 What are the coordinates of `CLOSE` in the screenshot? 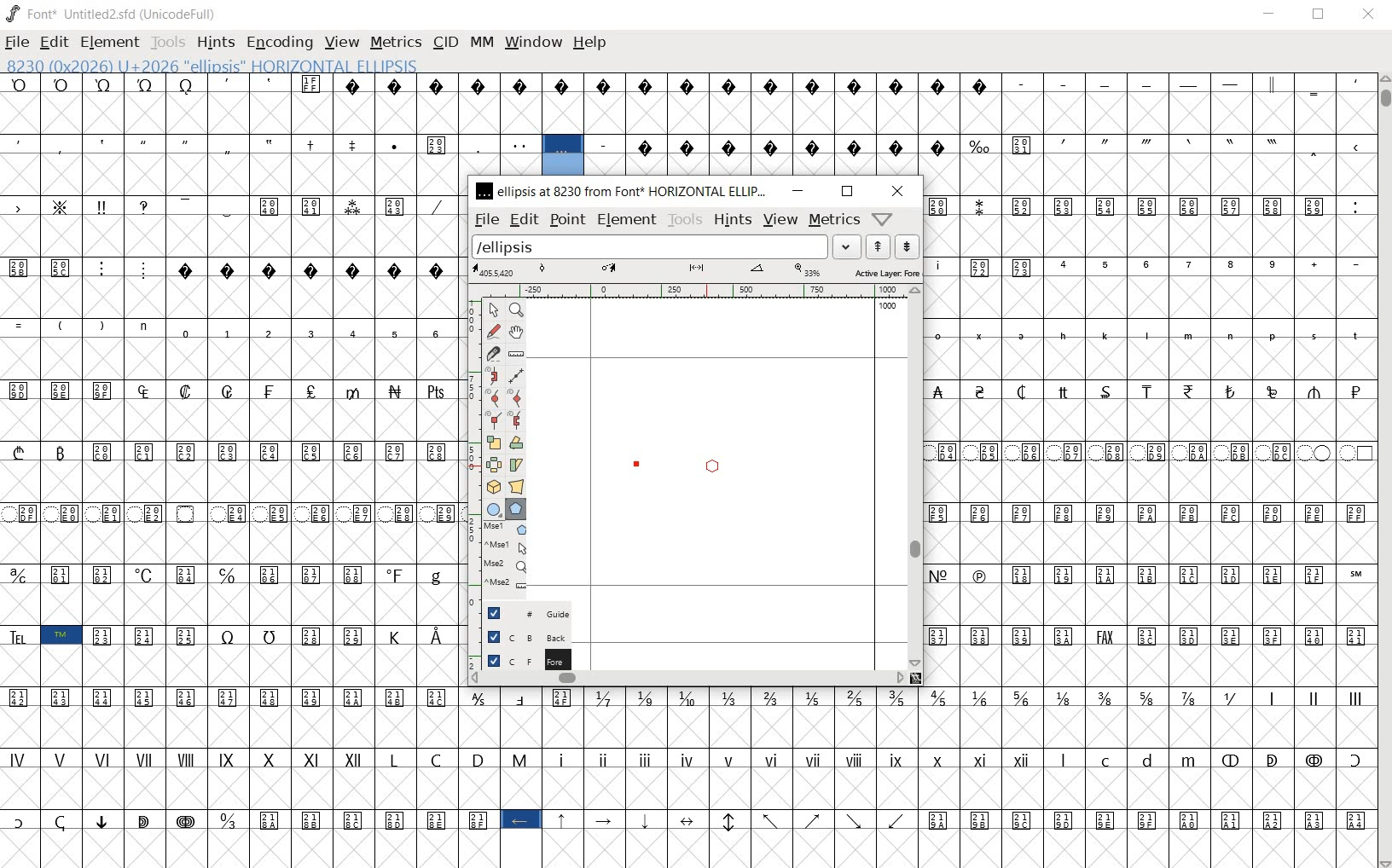 It's located at (1371, 14).